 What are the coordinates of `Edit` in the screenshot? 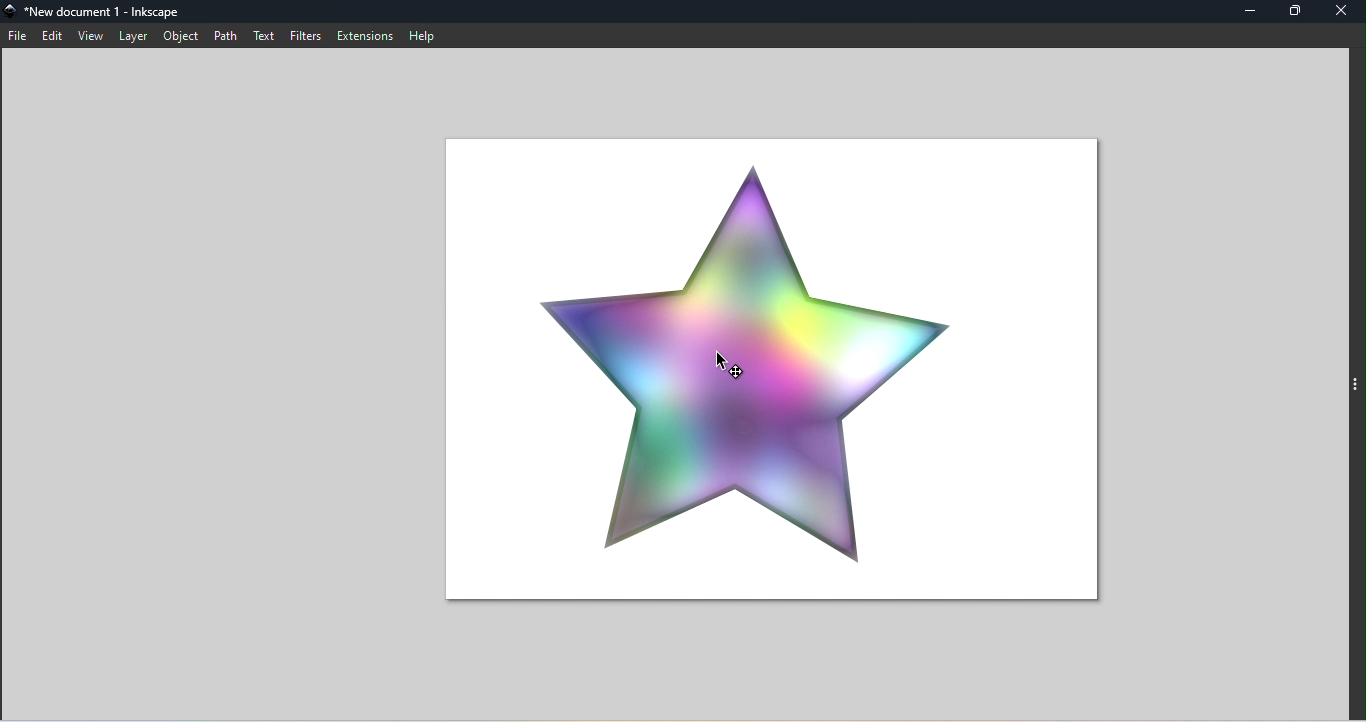 It's located at (51, 36).